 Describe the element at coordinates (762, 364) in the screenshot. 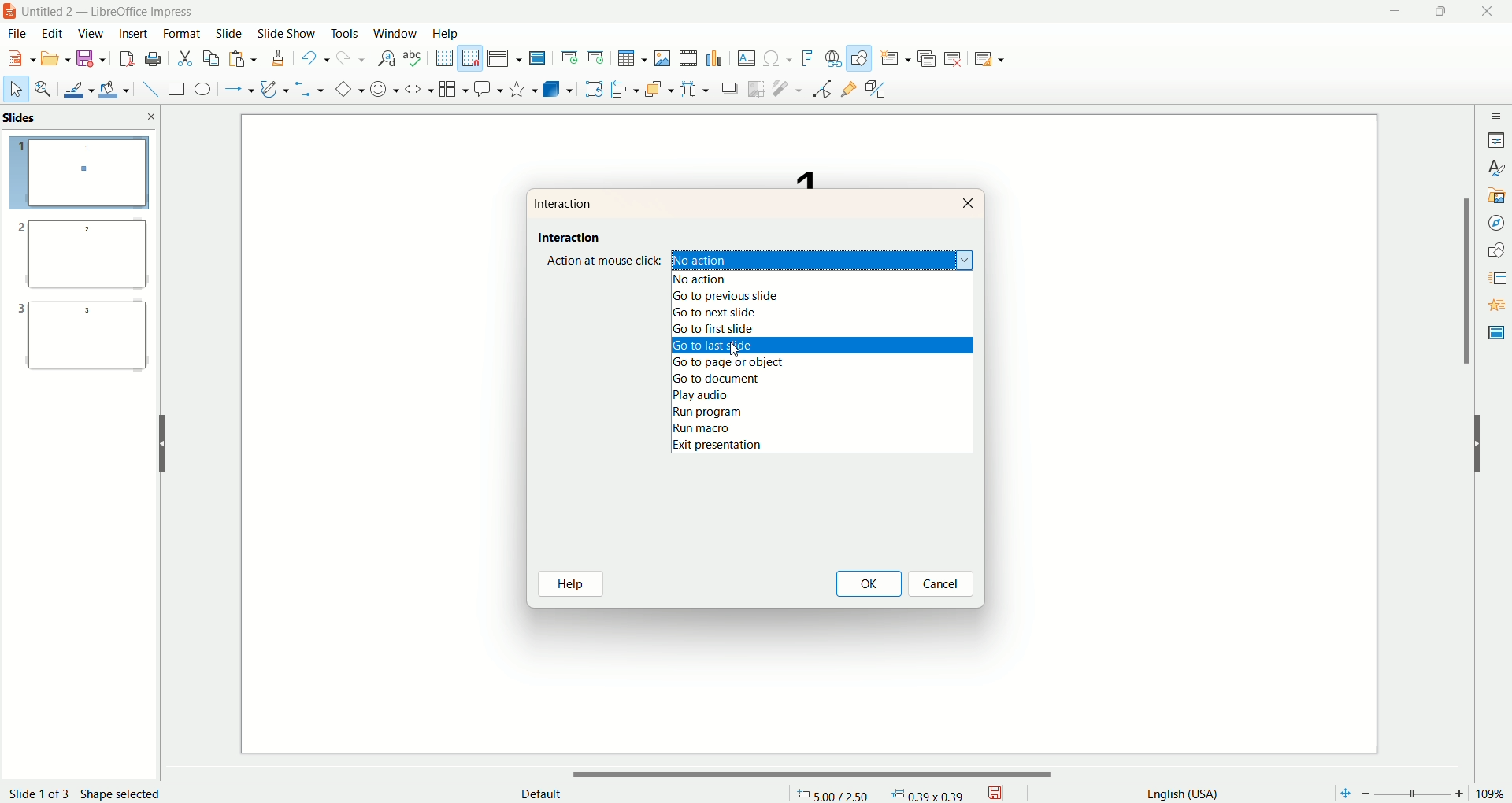

I see `go to page or object` at that location.